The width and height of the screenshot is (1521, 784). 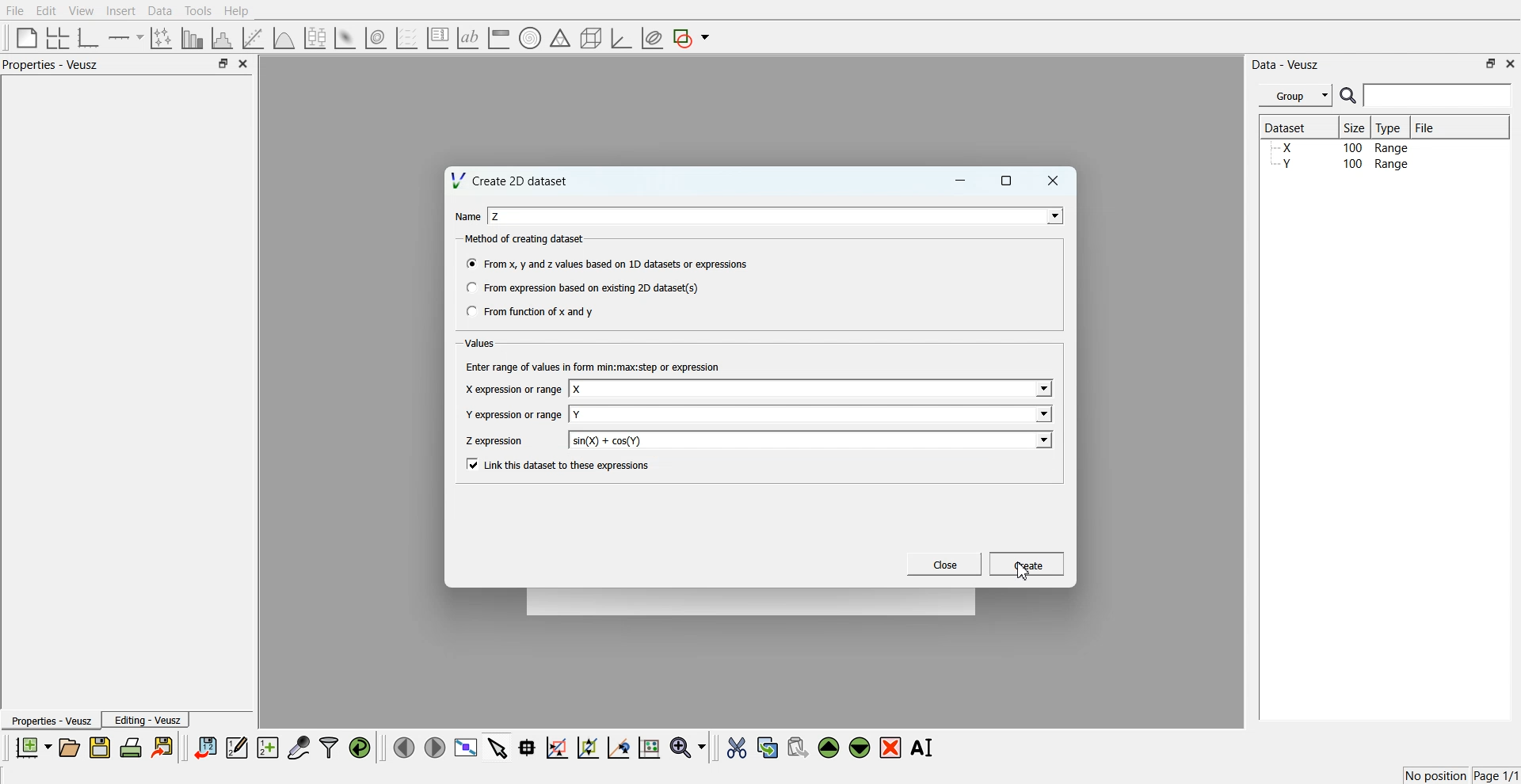 I want to click on Y, so click(x=578, y=414).